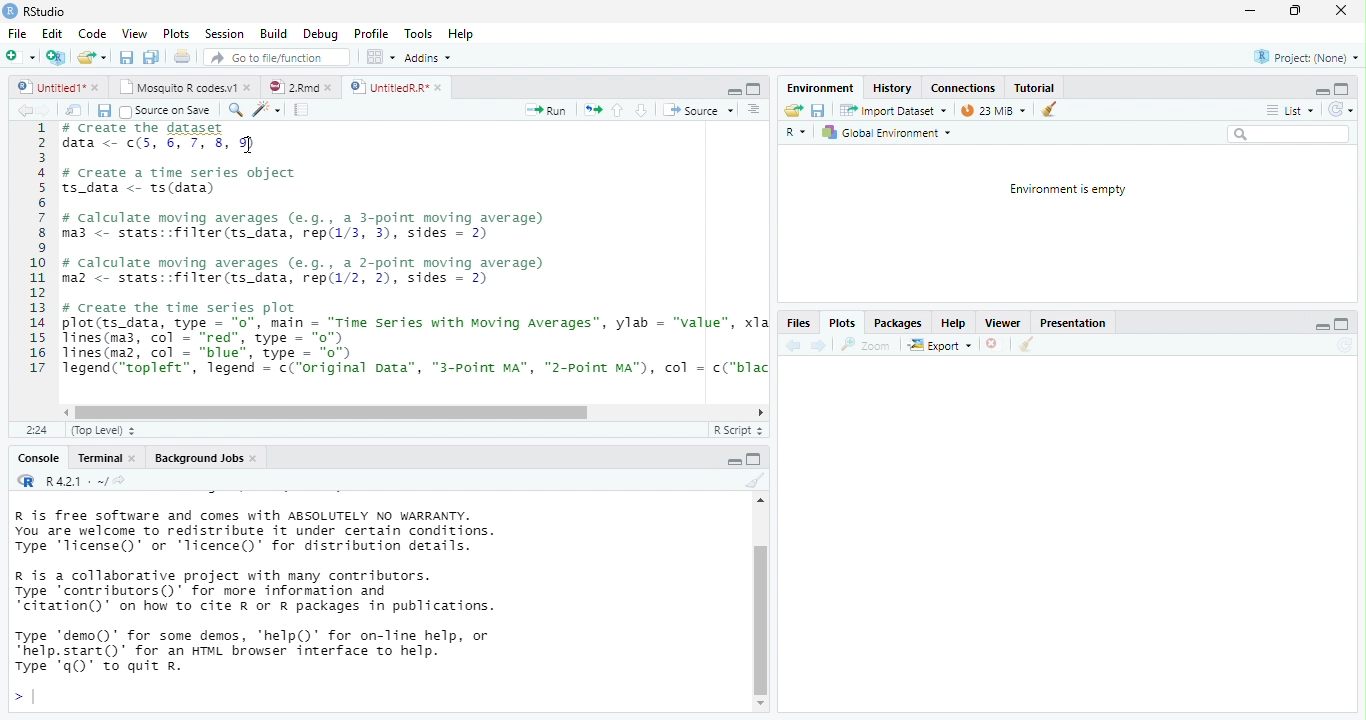 The height and width of the screenshot is (720, 1366). What do you see at coordinates (97, 88) in the screenshot?
I see `close` at bounding box center [97, 88].